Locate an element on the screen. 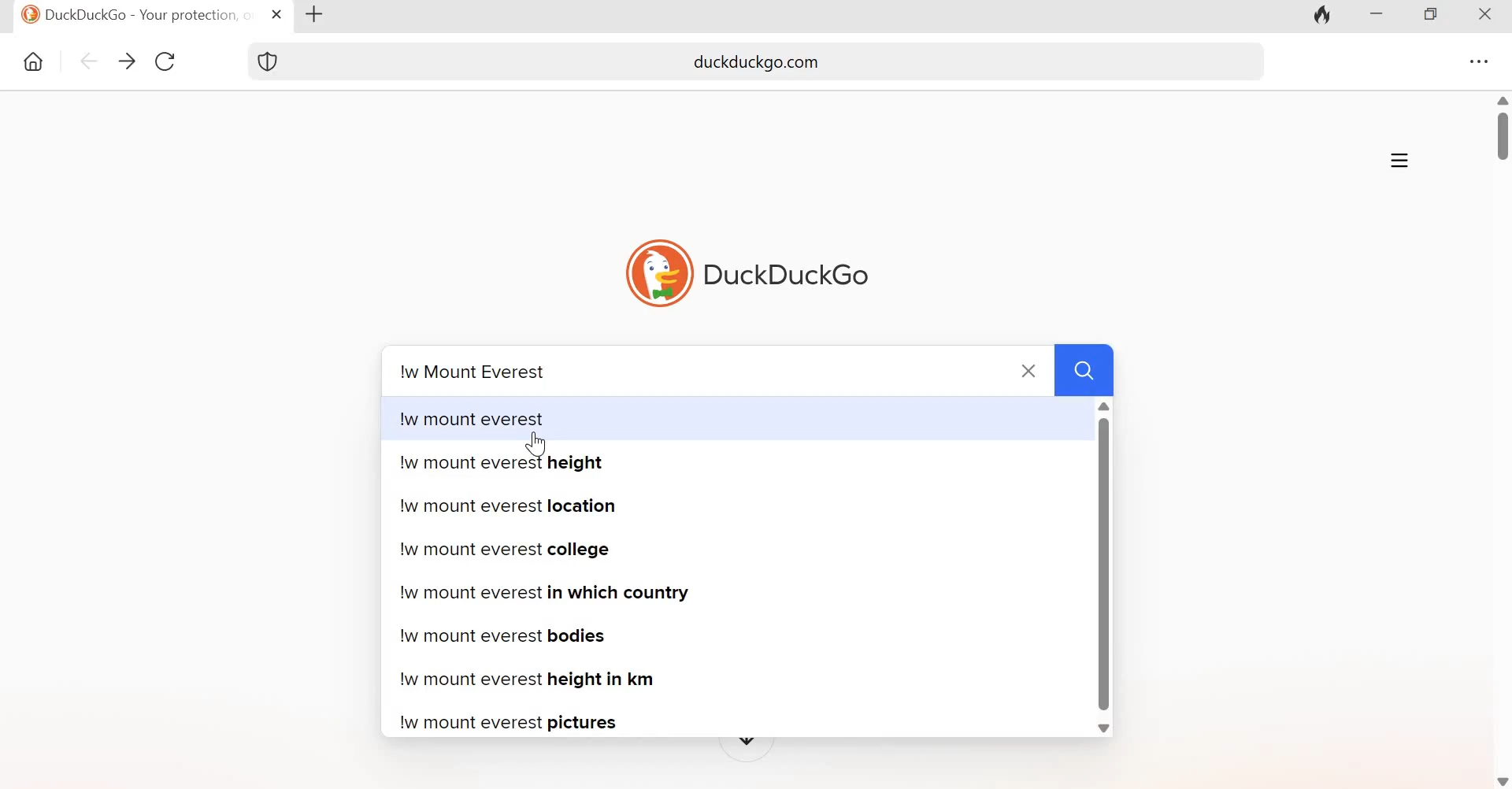  go forward one page is located at coordinates (125, 61).